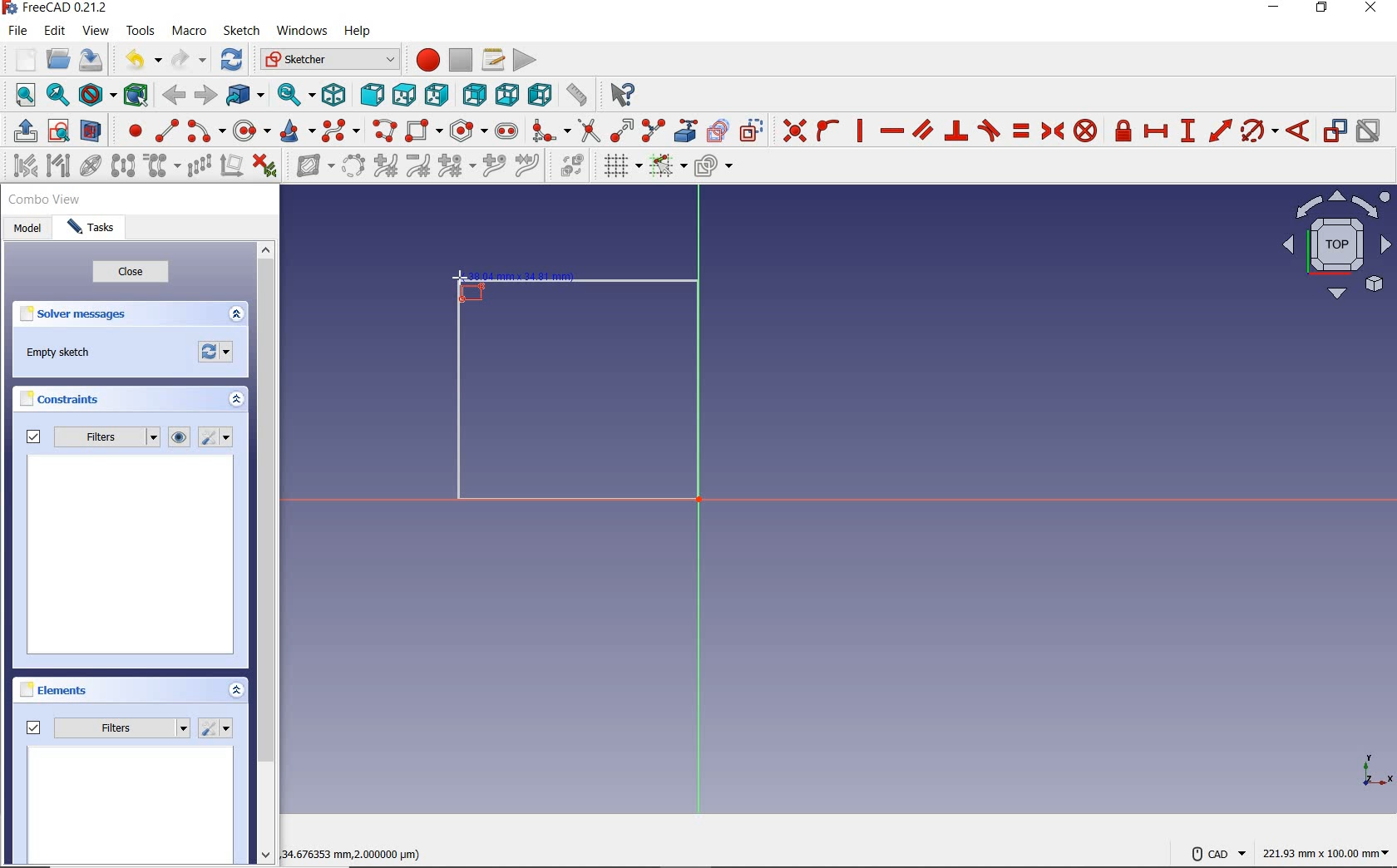 The width and height of the screenshot is (1397, 868). What do you see at coordinates (200, 166) in the screenshot?
I see `rectangular array` at bounding box center [200, 166].